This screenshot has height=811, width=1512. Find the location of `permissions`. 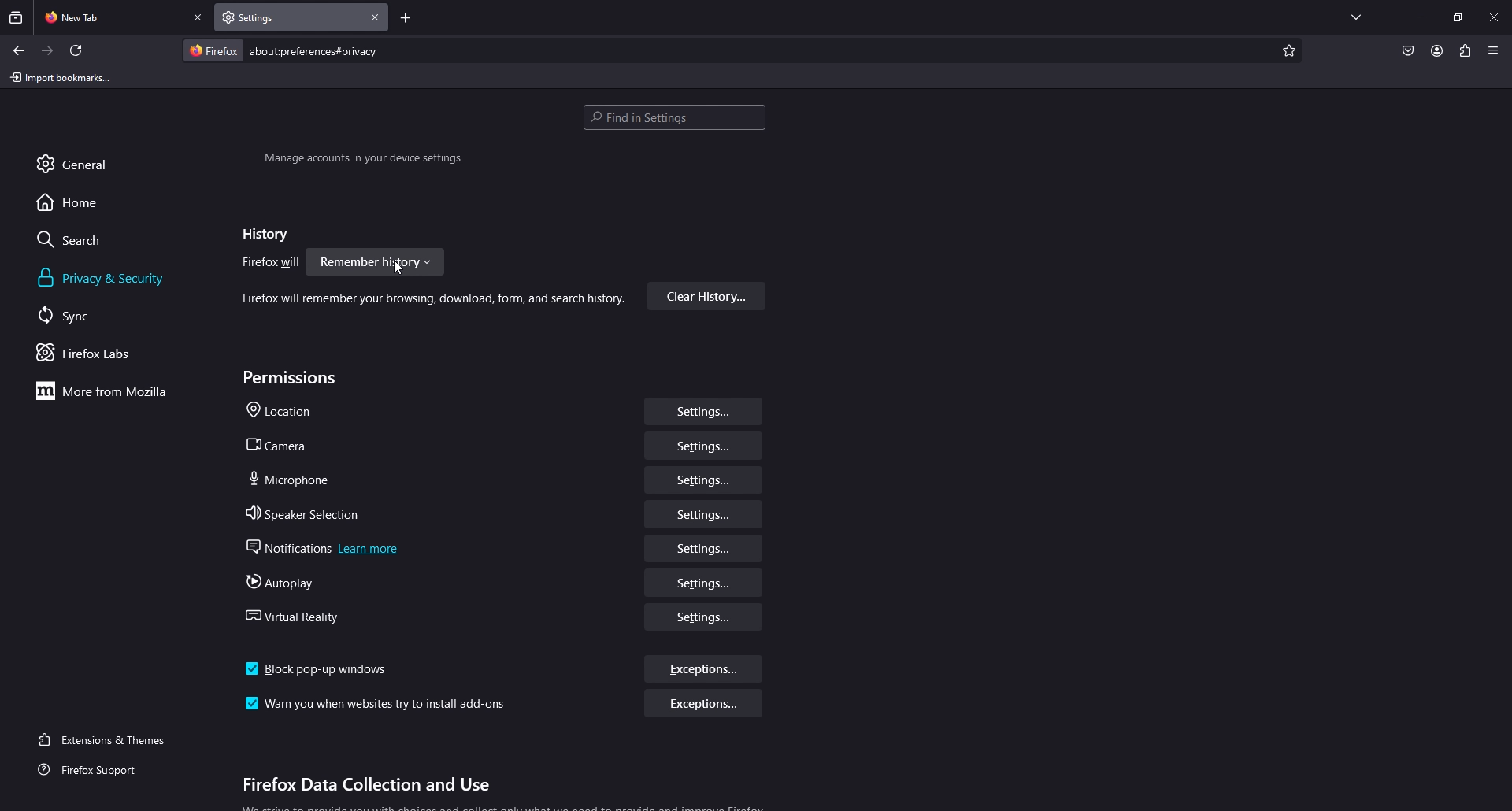

permissions is located at coordinates (294, 378).